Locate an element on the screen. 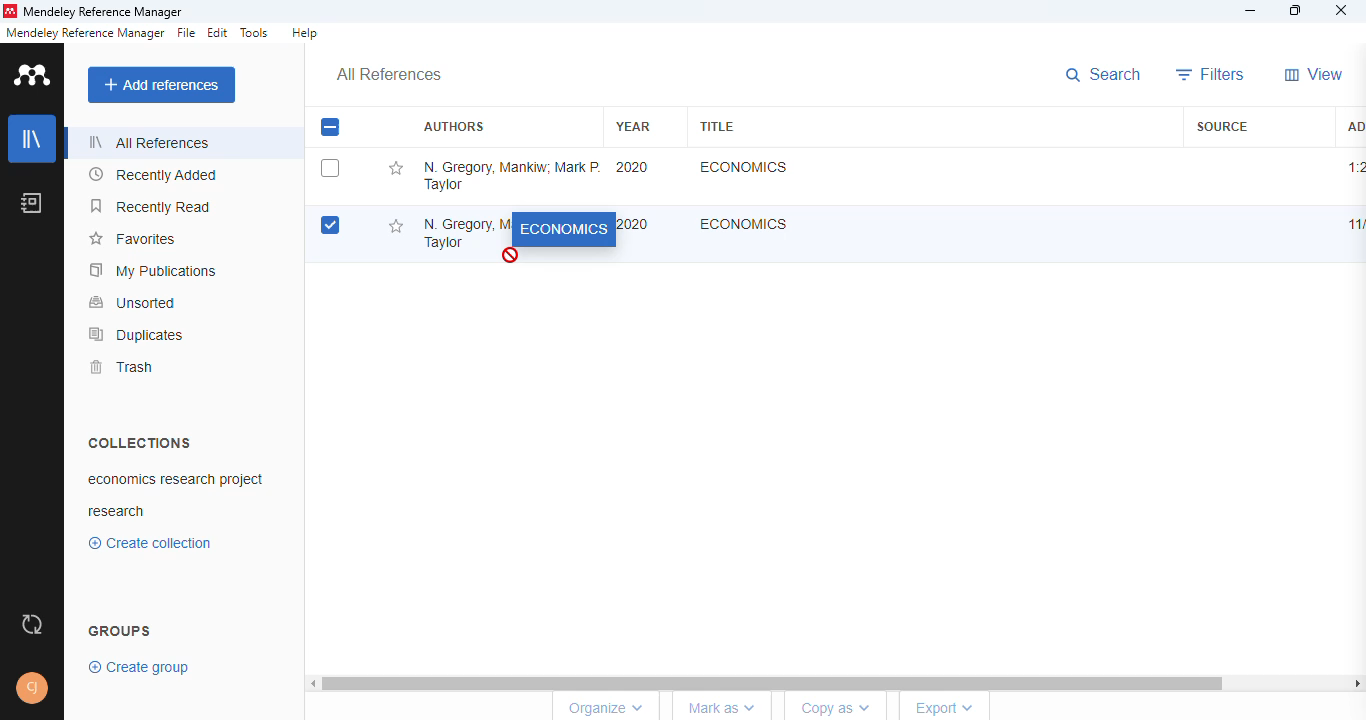 The image size is (1366, 720). select is located at coordinates (330, 168).